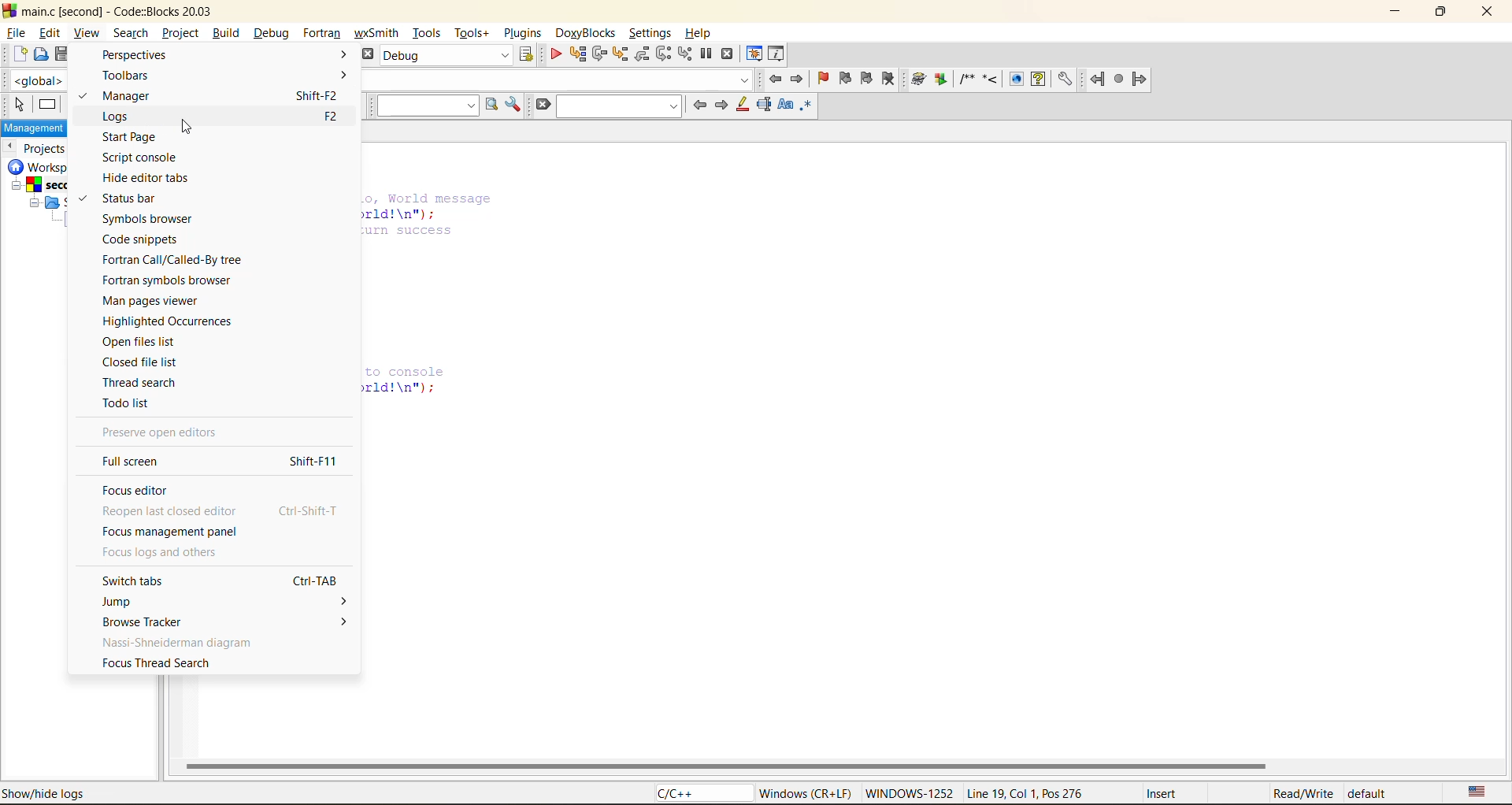 Image resolution: width=1512 pixels, height=805 pixels. I want to click on wxsmith, so click(377, 33).